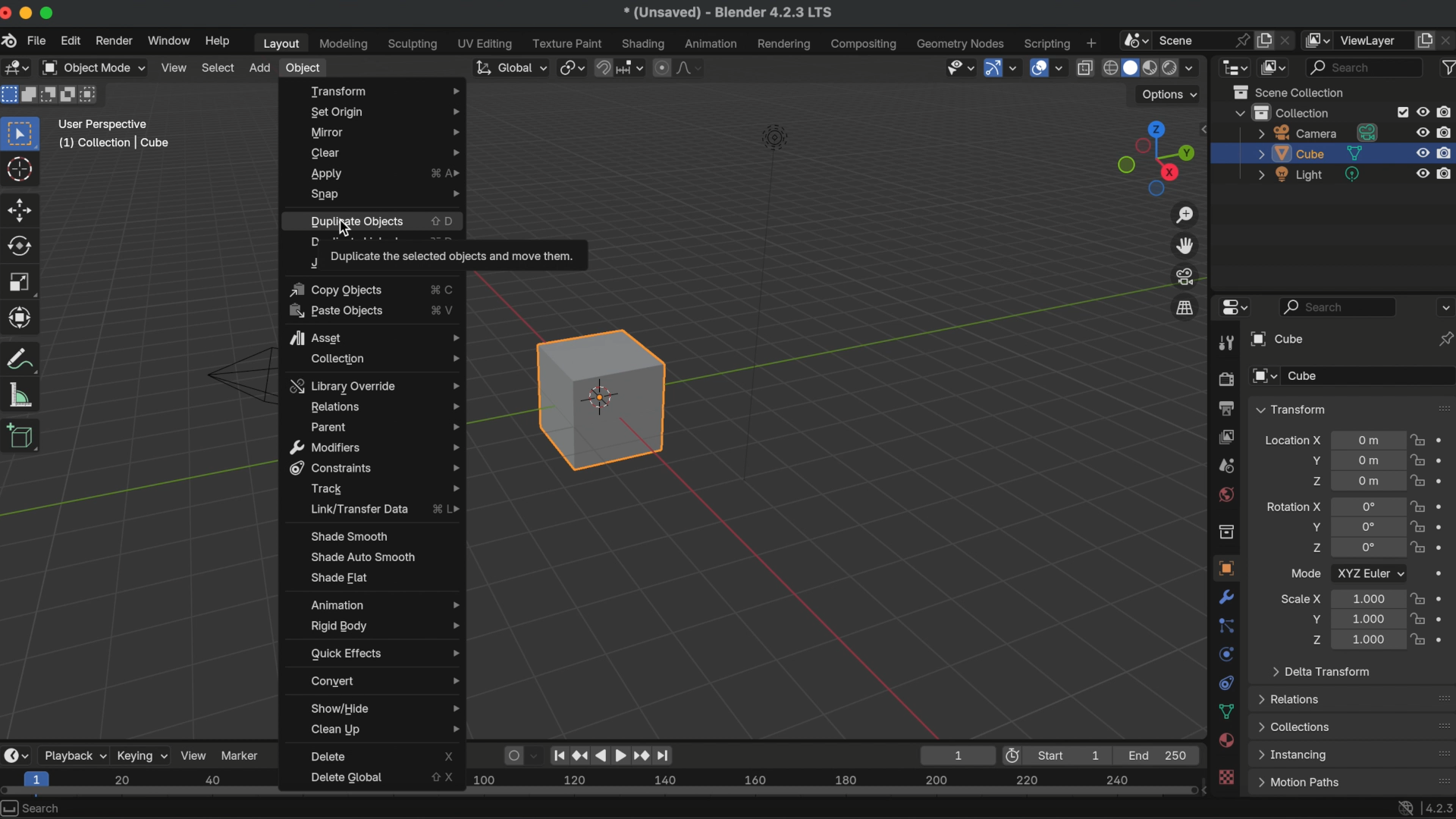 This screenshot has width=1456, height=819. Describe the element at coordinates (1423, 131) in the screenshot. I see `hide in viewport` at that location.